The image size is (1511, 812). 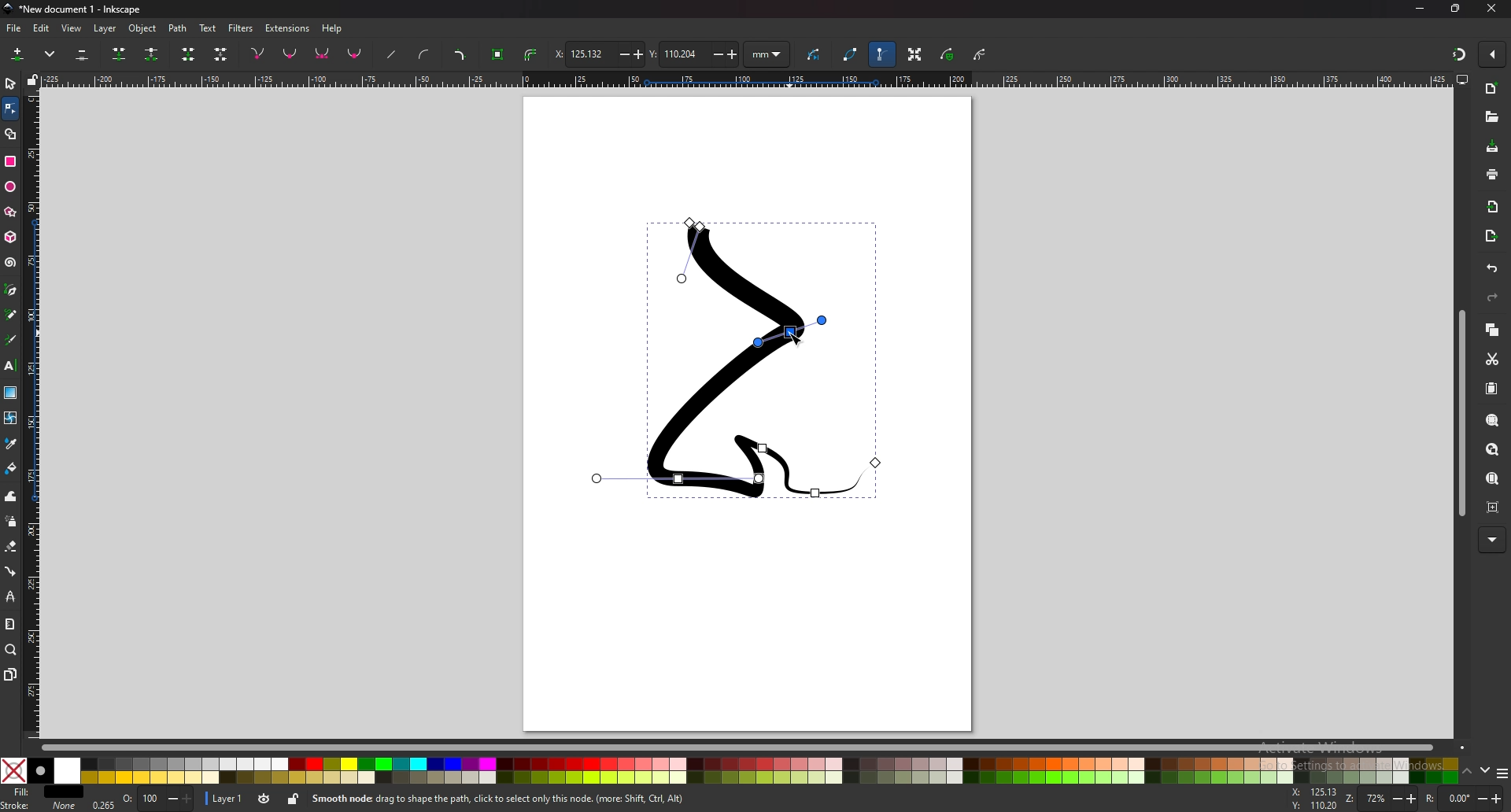 I want to click on show clipping path, so click(x=981, y=54).